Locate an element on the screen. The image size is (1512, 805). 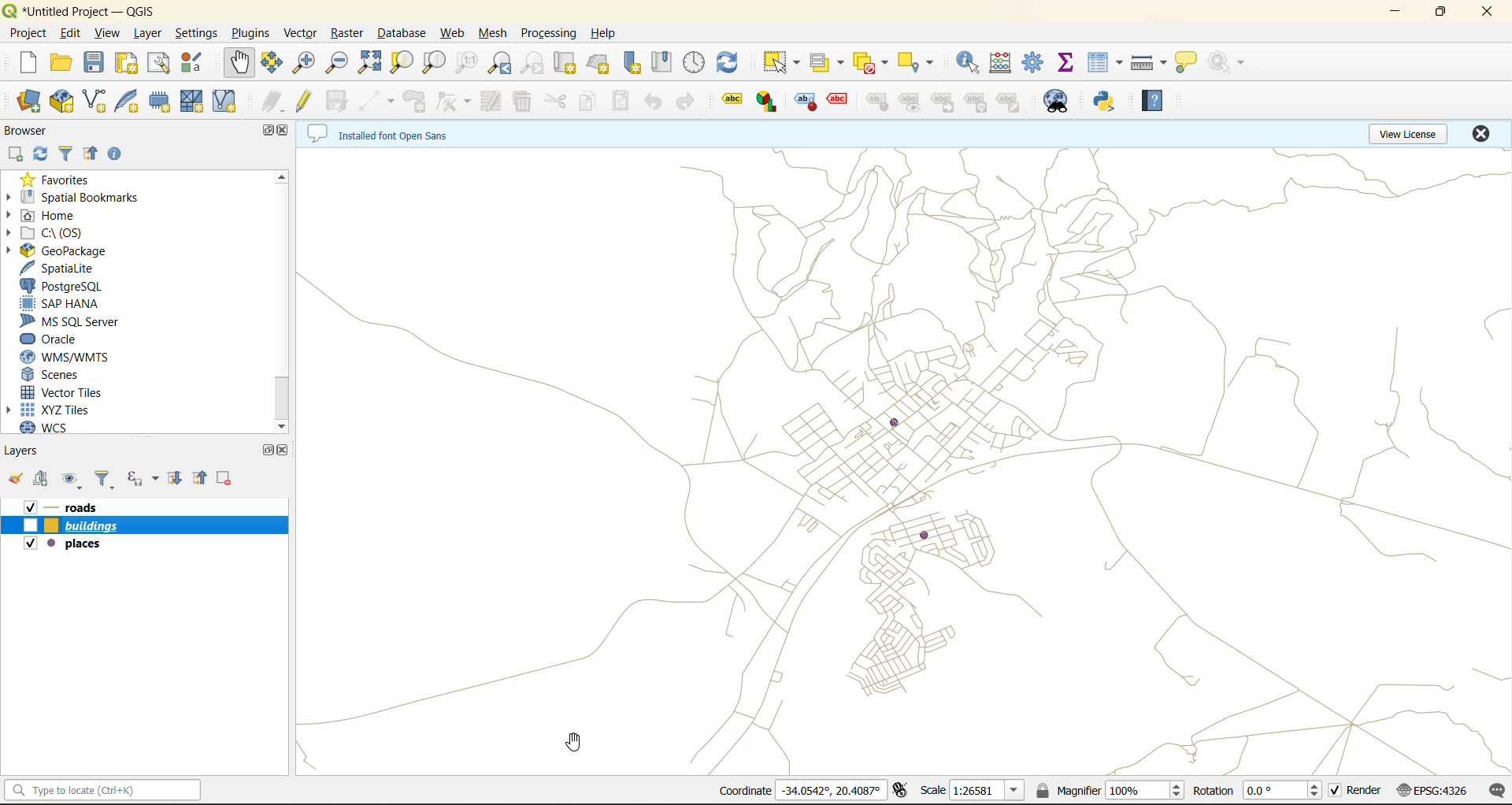
scale is located at coordinates (976, 792).